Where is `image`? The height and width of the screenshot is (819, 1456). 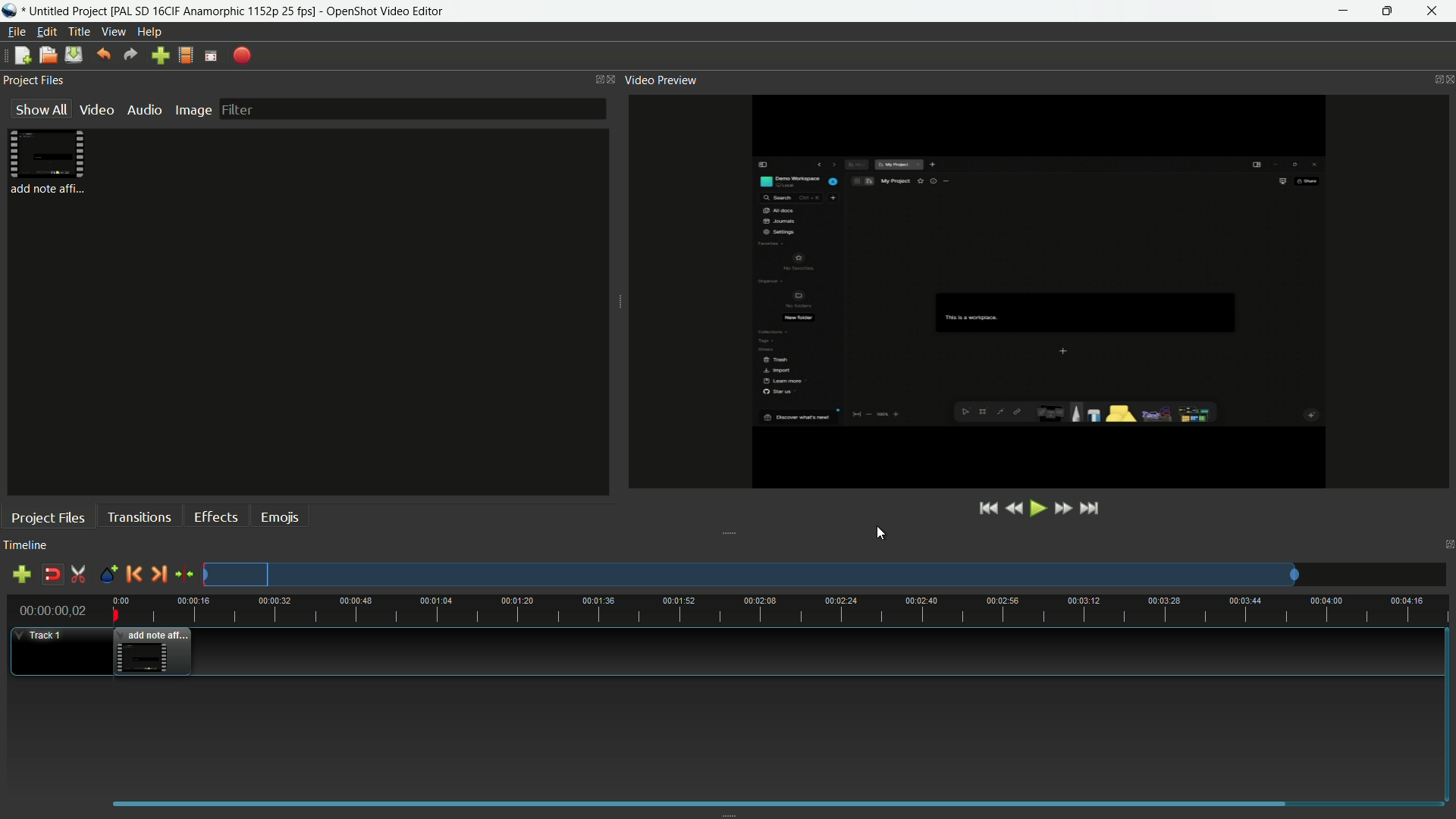 image is located at coordinates (190, 111).